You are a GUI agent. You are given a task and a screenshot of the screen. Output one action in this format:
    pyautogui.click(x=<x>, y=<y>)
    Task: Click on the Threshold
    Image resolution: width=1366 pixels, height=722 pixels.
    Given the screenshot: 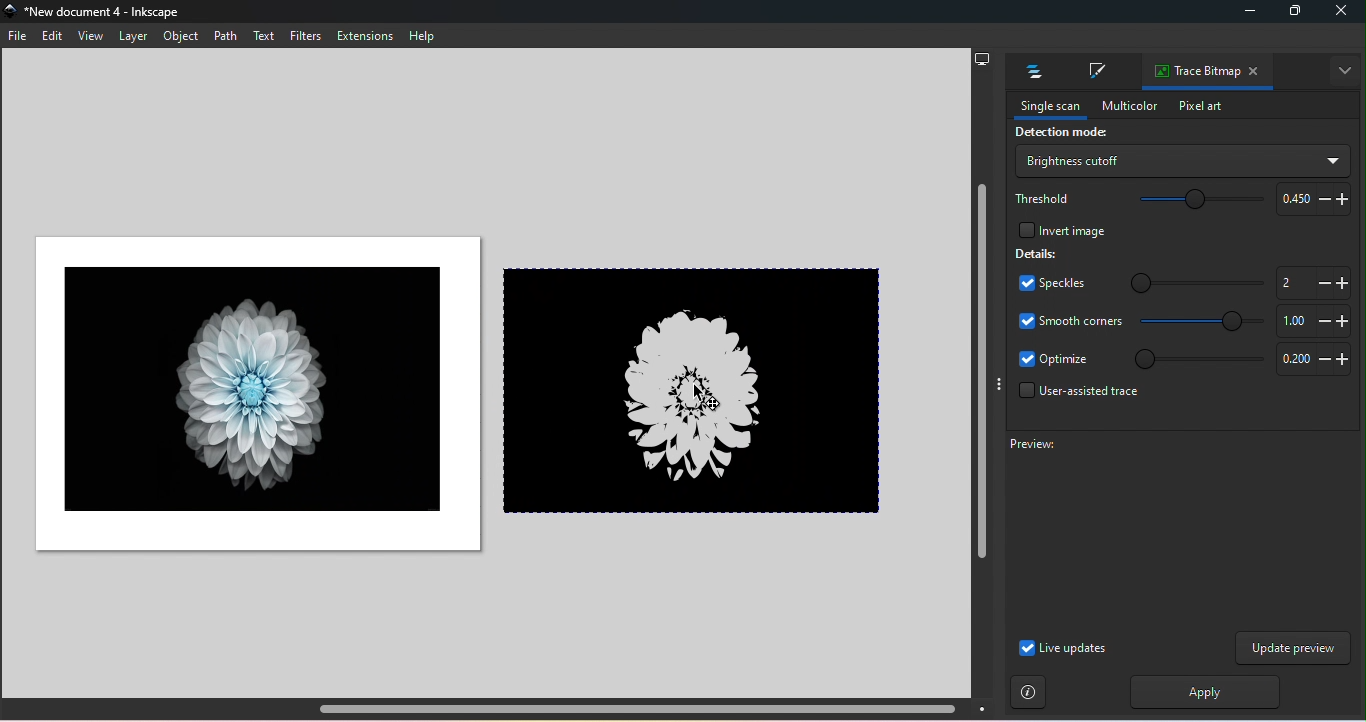 What is the action you would take?
    pyautogui.click(x=1044, y=197)
    